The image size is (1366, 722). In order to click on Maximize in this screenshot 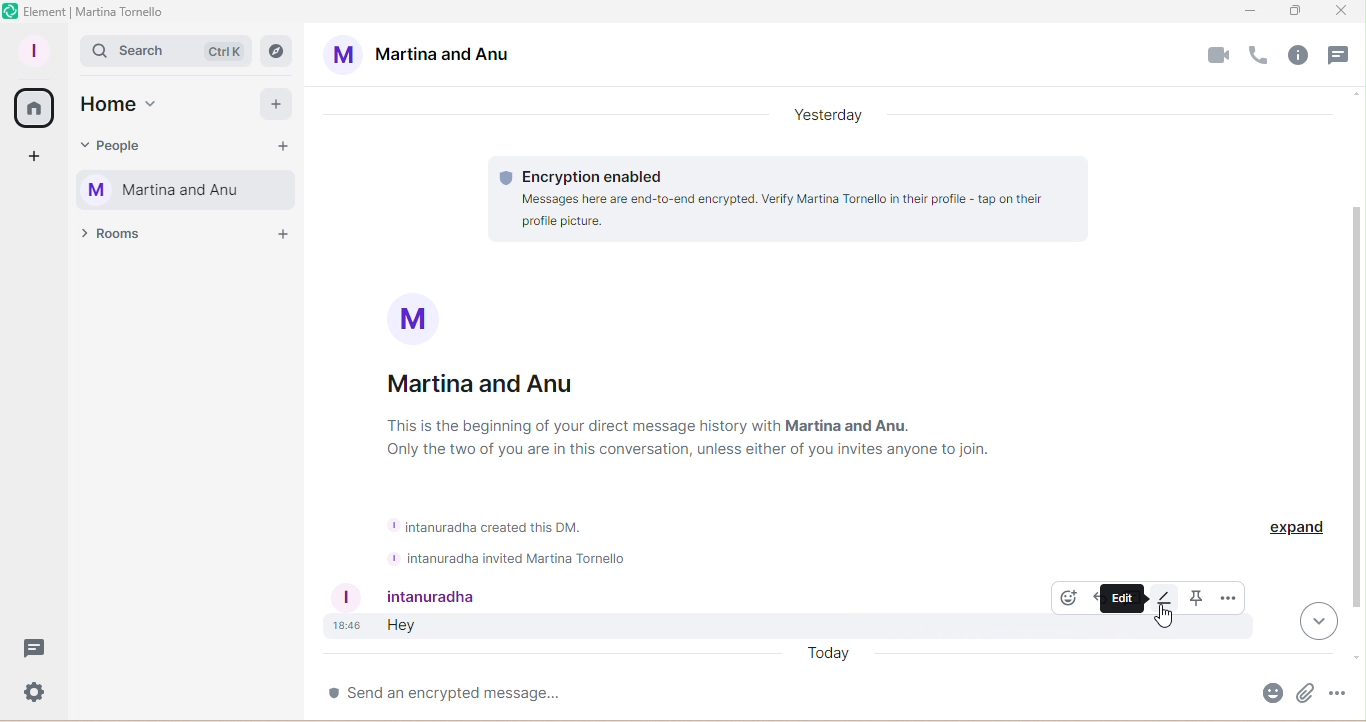, I will do `click(1290, 13)`.